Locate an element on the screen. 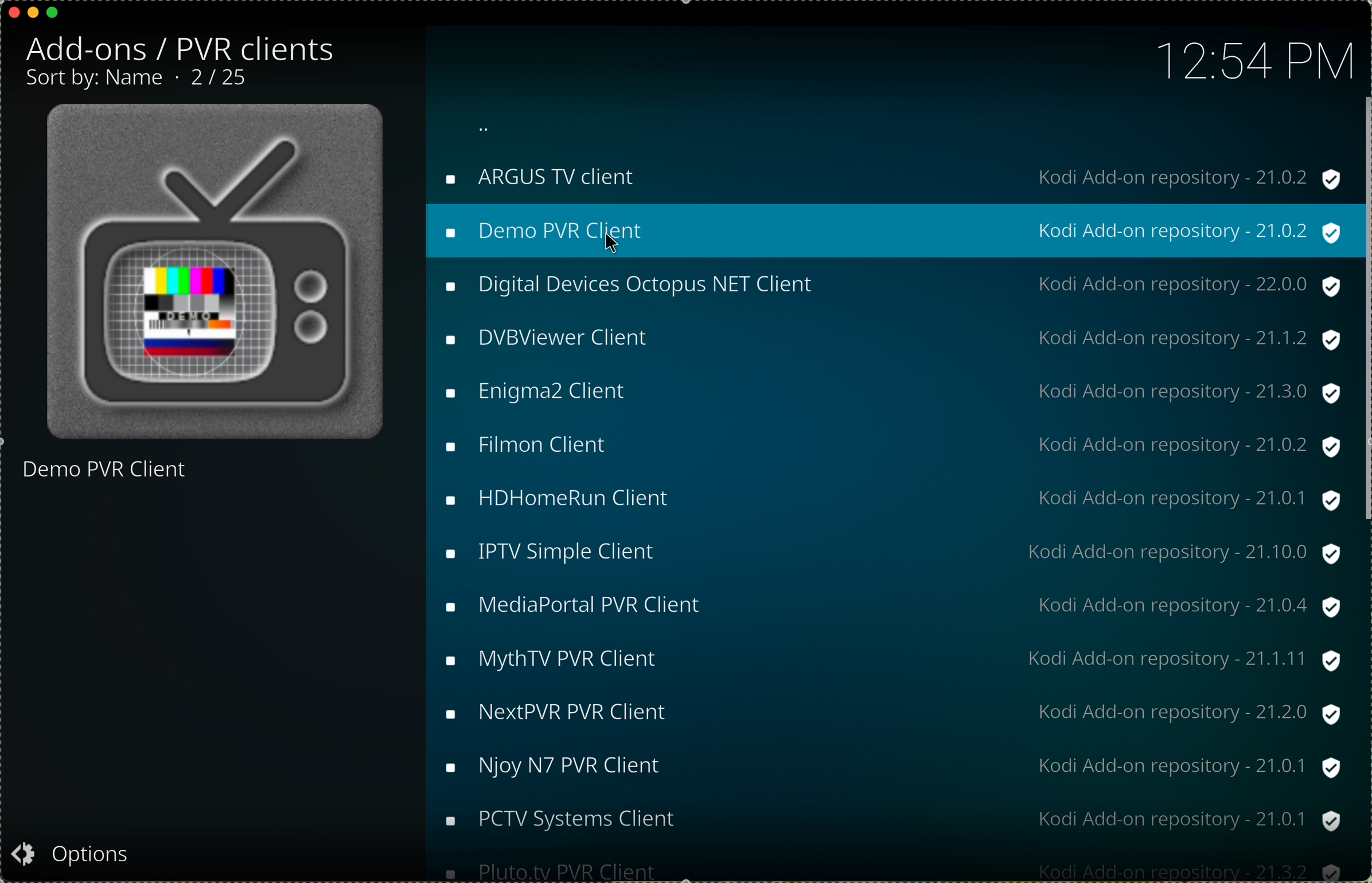 The height and width of the screenshot is (883, 1372). IPTV simple client is located at coordinates (572, 553).